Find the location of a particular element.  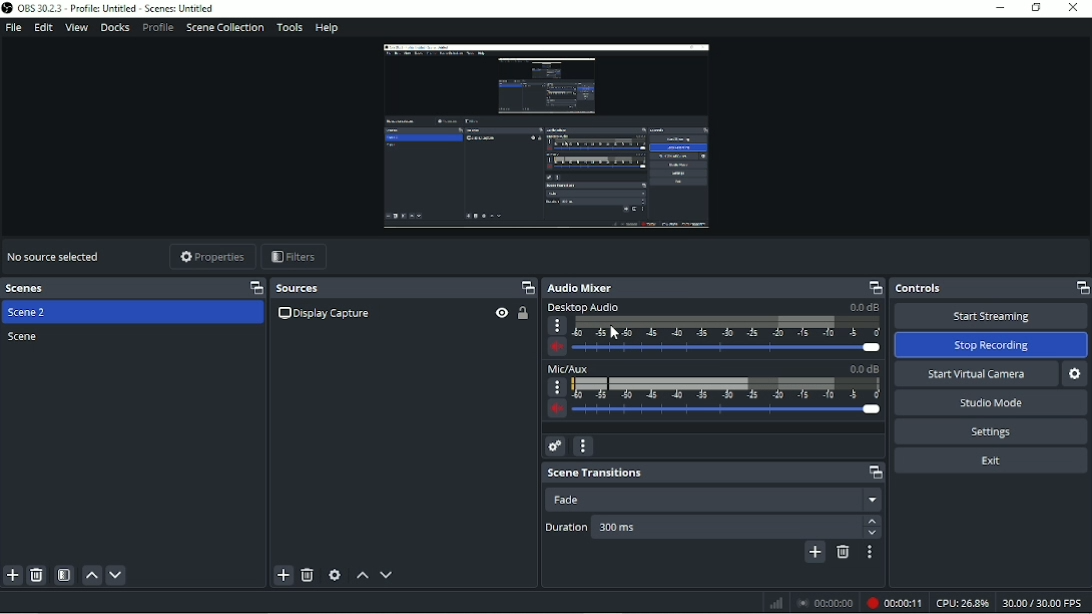

Stop recording is located at coordinates (826, 602).